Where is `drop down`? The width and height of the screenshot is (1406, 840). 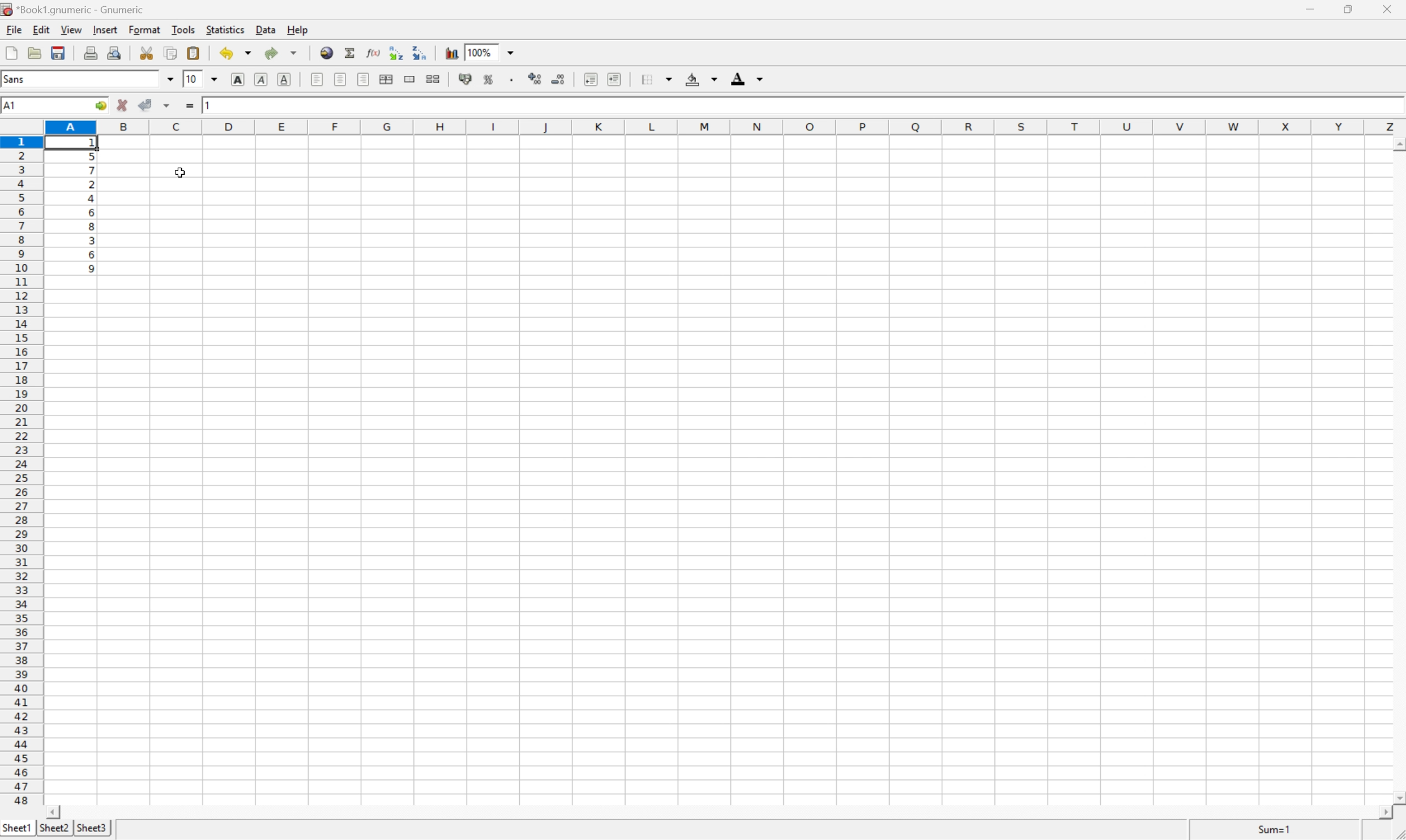 drop down is located at coordinates (215, 79).